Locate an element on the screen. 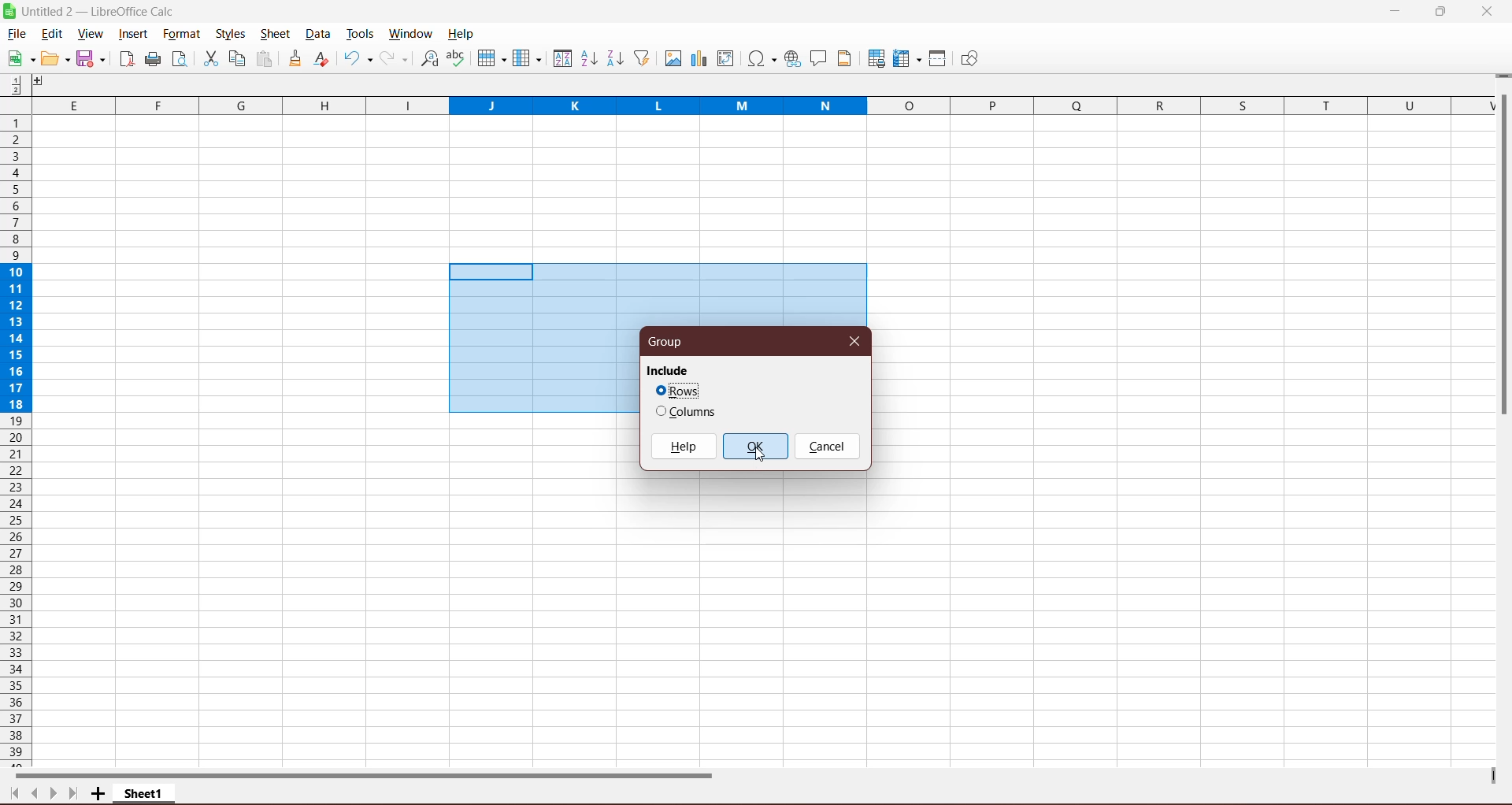 The image size is (1512, 805). Insert Hyperlink is located at coordinates (792, 59).